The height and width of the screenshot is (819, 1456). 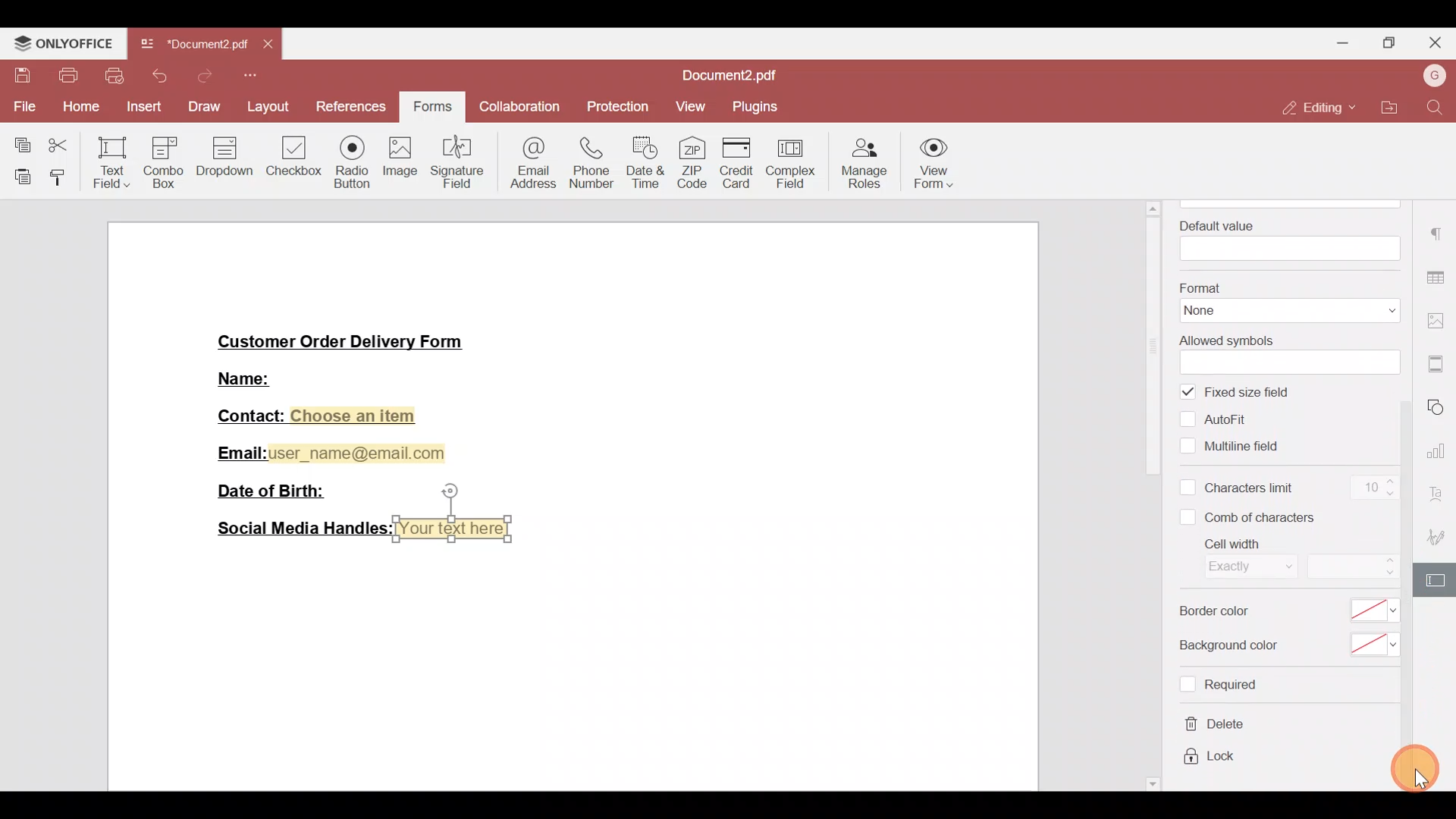 What do you see at coordinates (1235, 444) in the screenshot?
I see `Multiline field` at bounding box center [1235, 444].